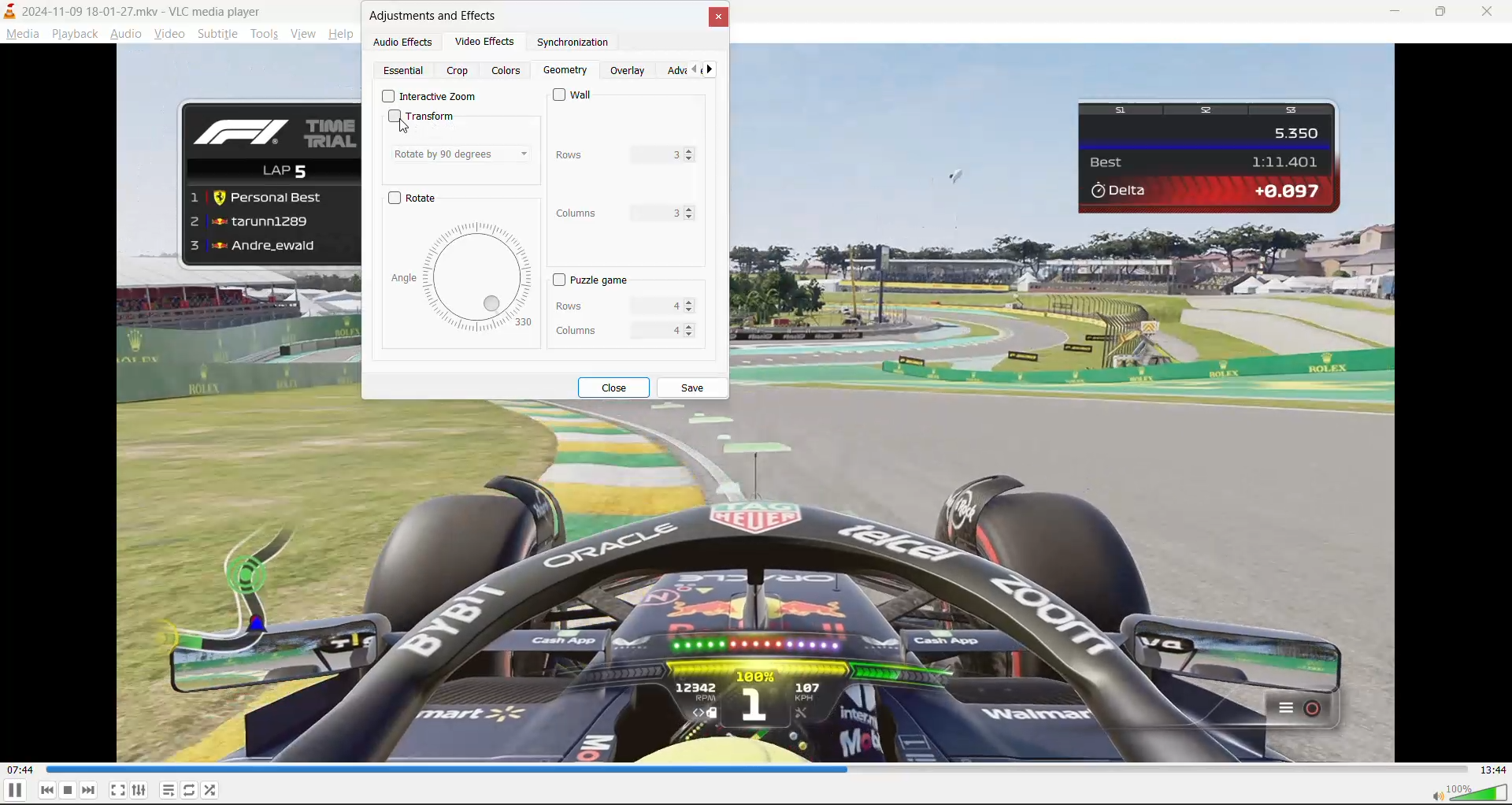  What do you see at coordinates (576, 43) in the screenshot?
I see `synchronization` at bounding box center [576, 43].